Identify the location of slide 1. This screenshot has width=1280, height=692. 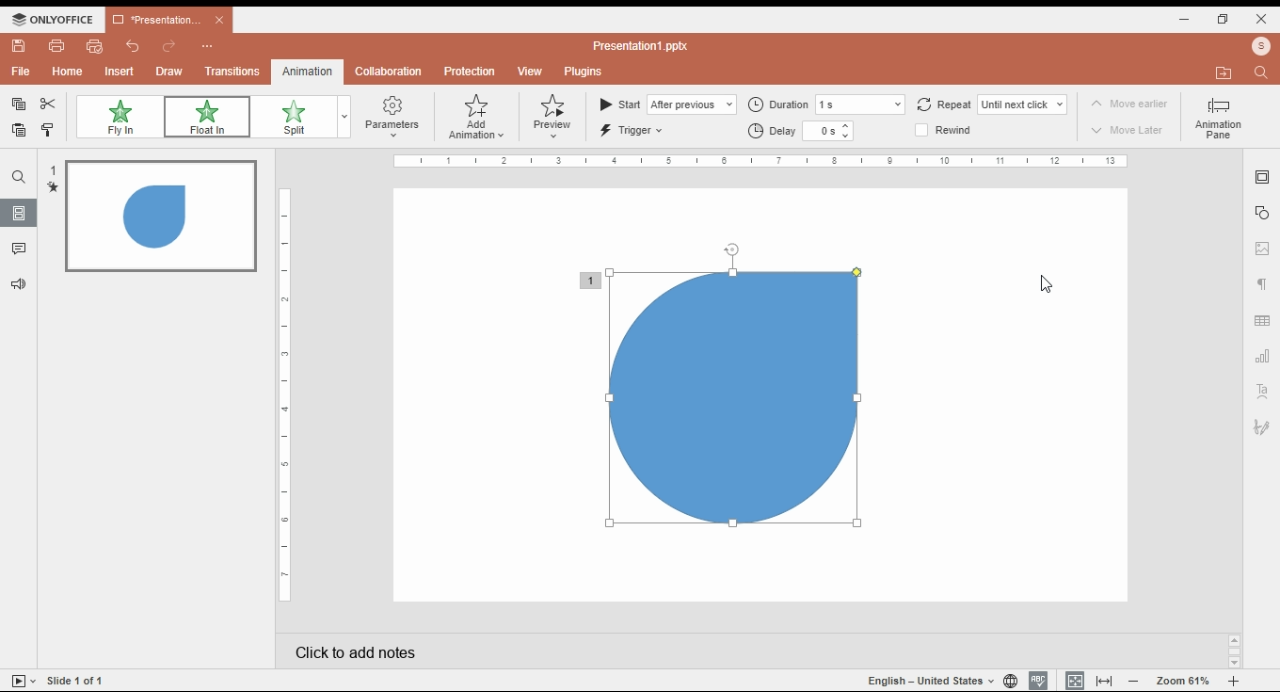
(151, 217).